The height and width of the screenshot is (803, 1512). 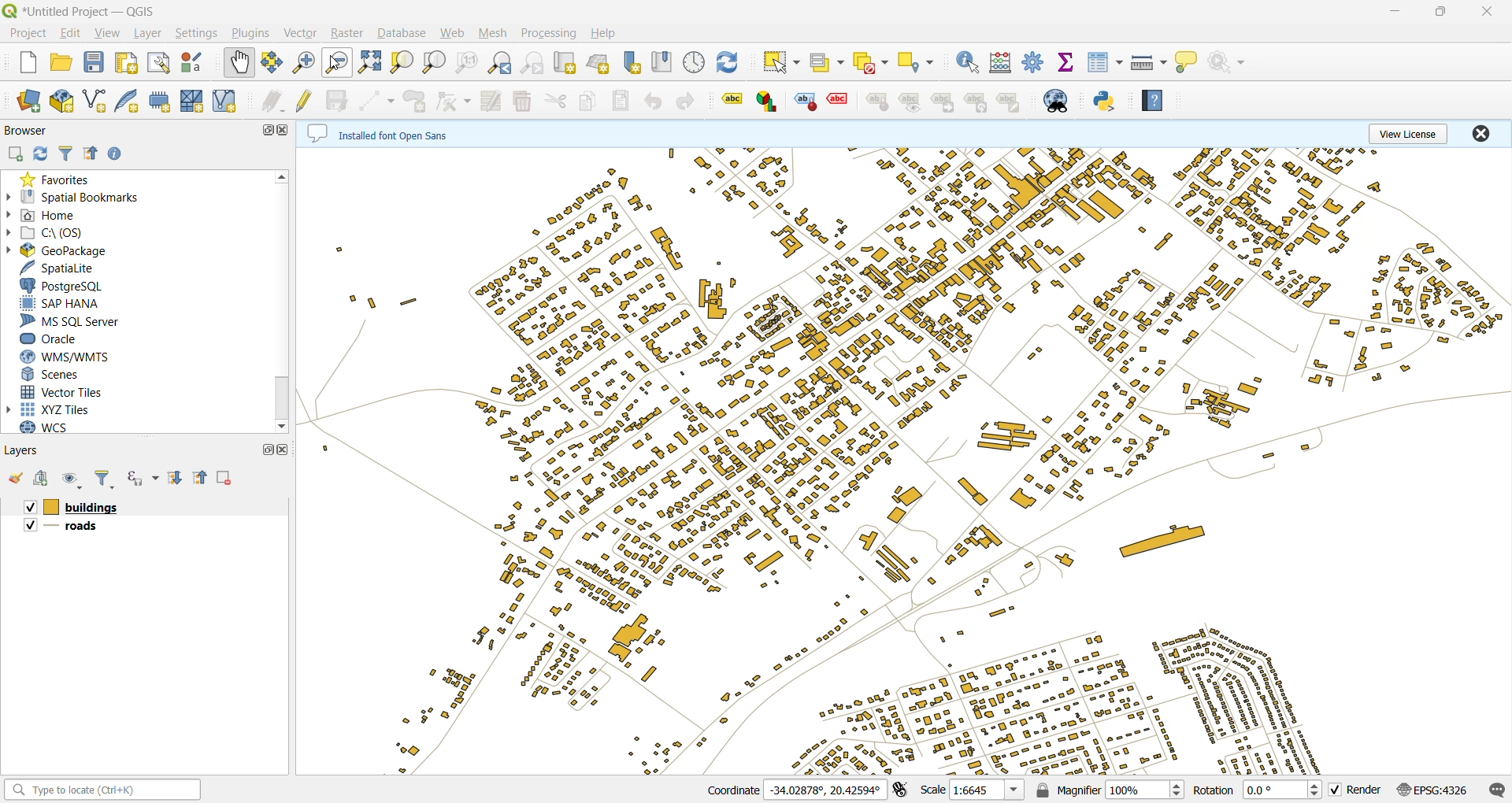 I want to click on help, so click(x=602, y=33).